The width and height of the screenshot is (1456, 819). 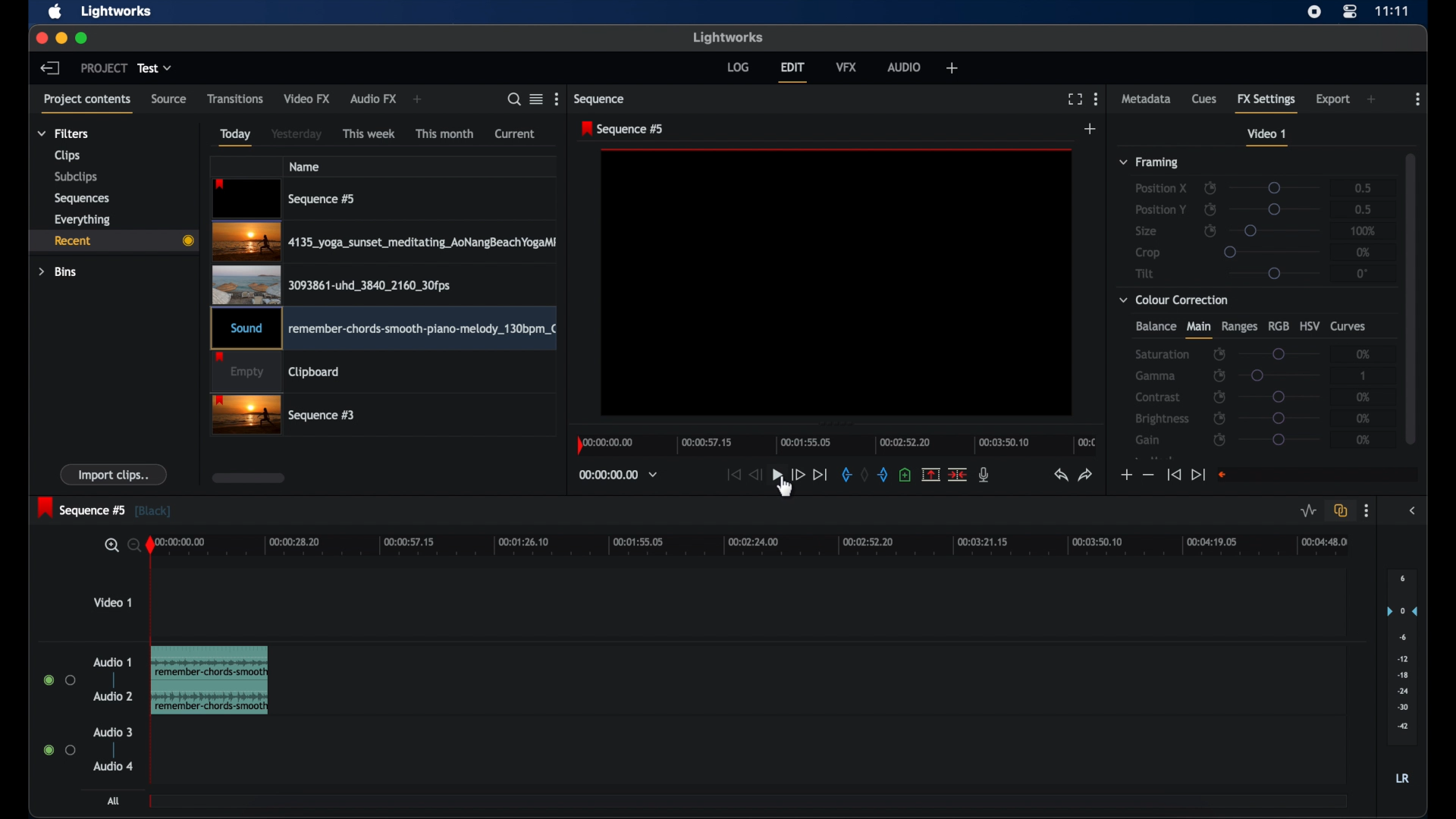 I want to click on slider, so click(x=1276, y=188).